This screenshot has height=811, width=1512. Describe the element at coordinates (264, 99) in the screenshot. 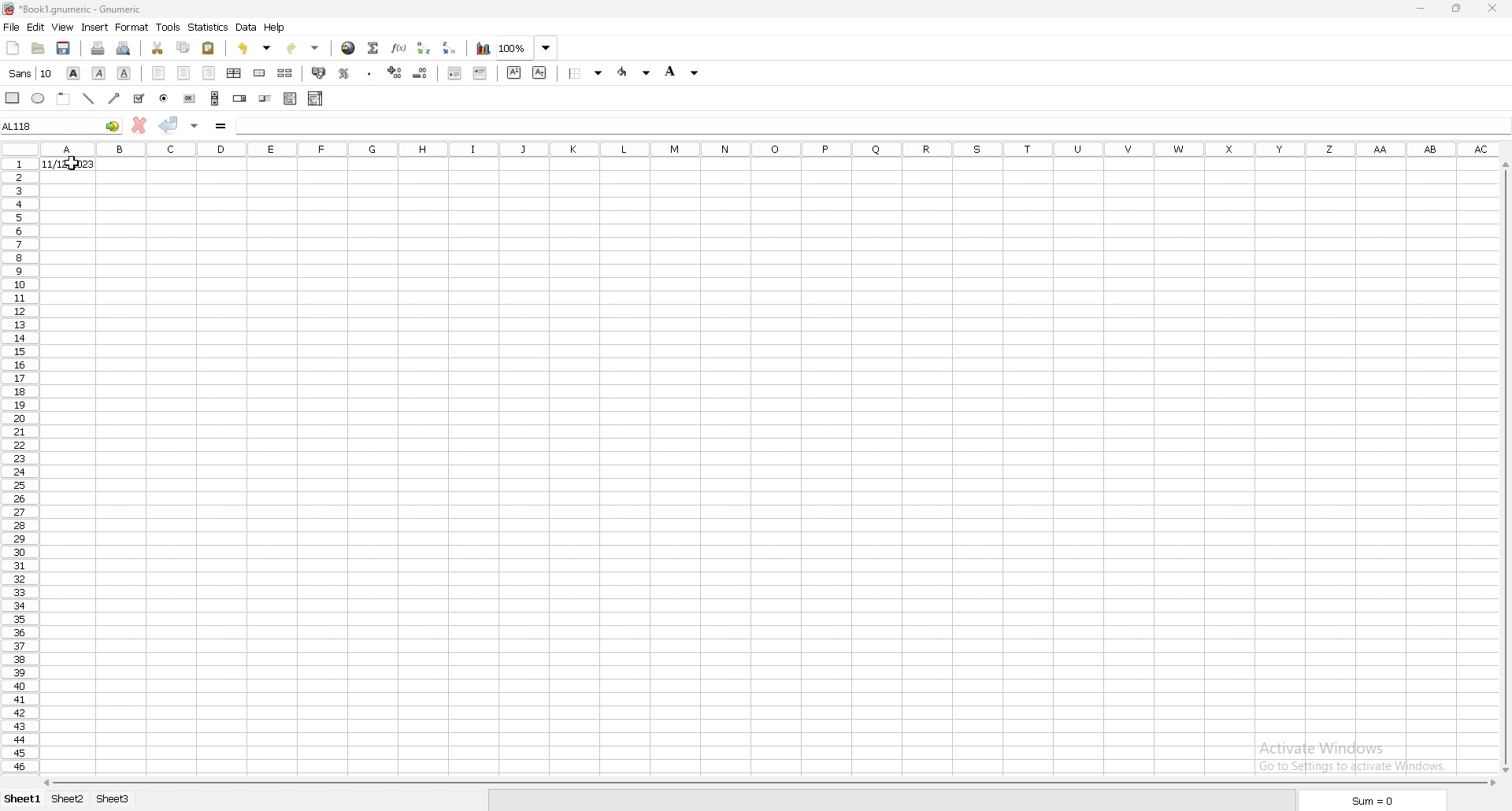

I see `slider` at that location.